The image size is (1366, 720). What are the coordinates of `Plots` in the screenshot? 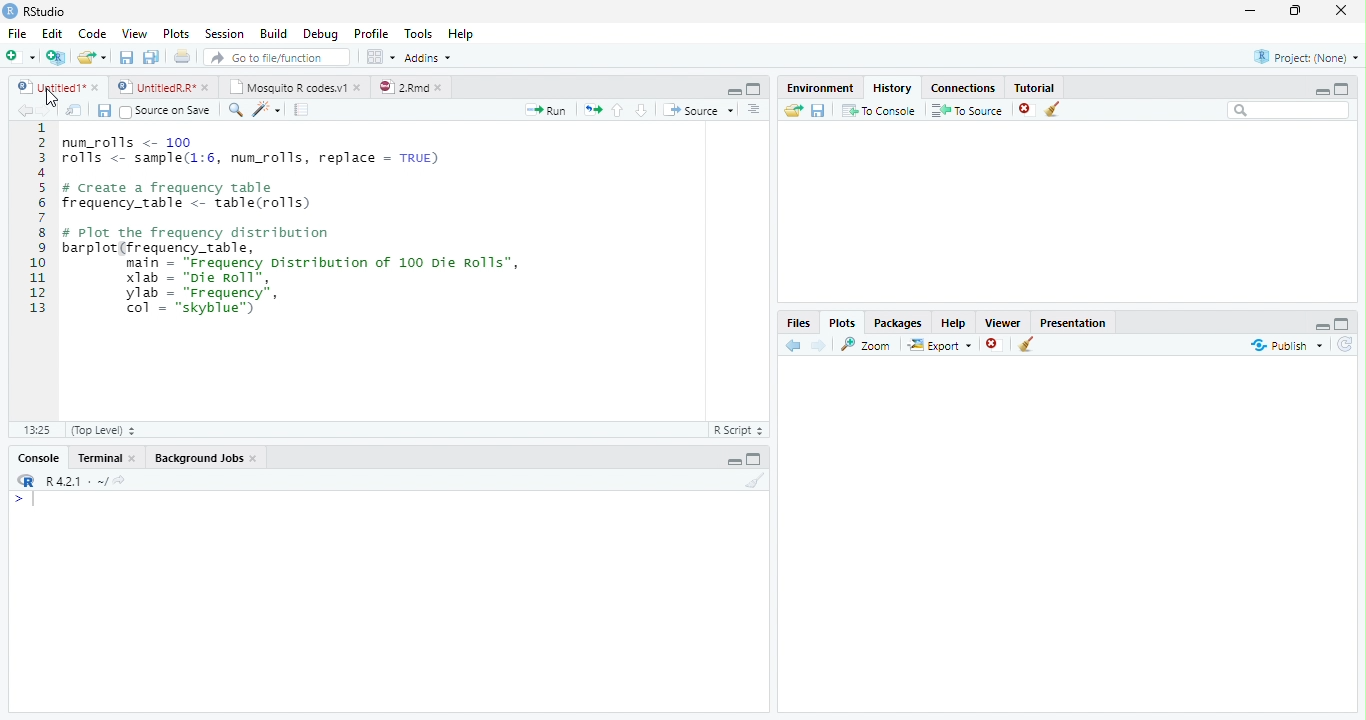 It's located at (177, 32).